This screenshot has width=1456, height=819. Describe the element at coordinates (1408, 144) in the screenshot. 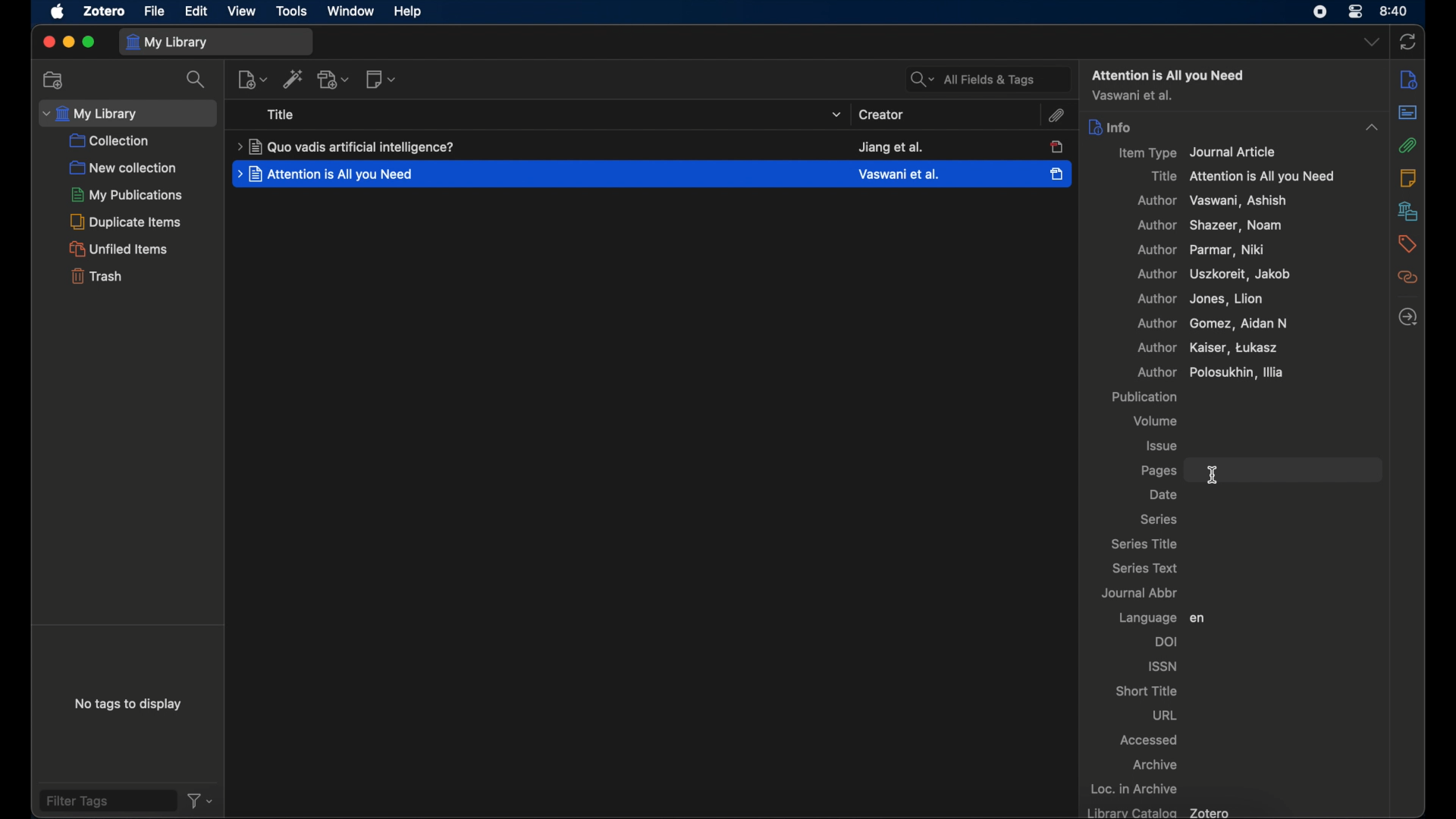

I see `attachment` at that location.